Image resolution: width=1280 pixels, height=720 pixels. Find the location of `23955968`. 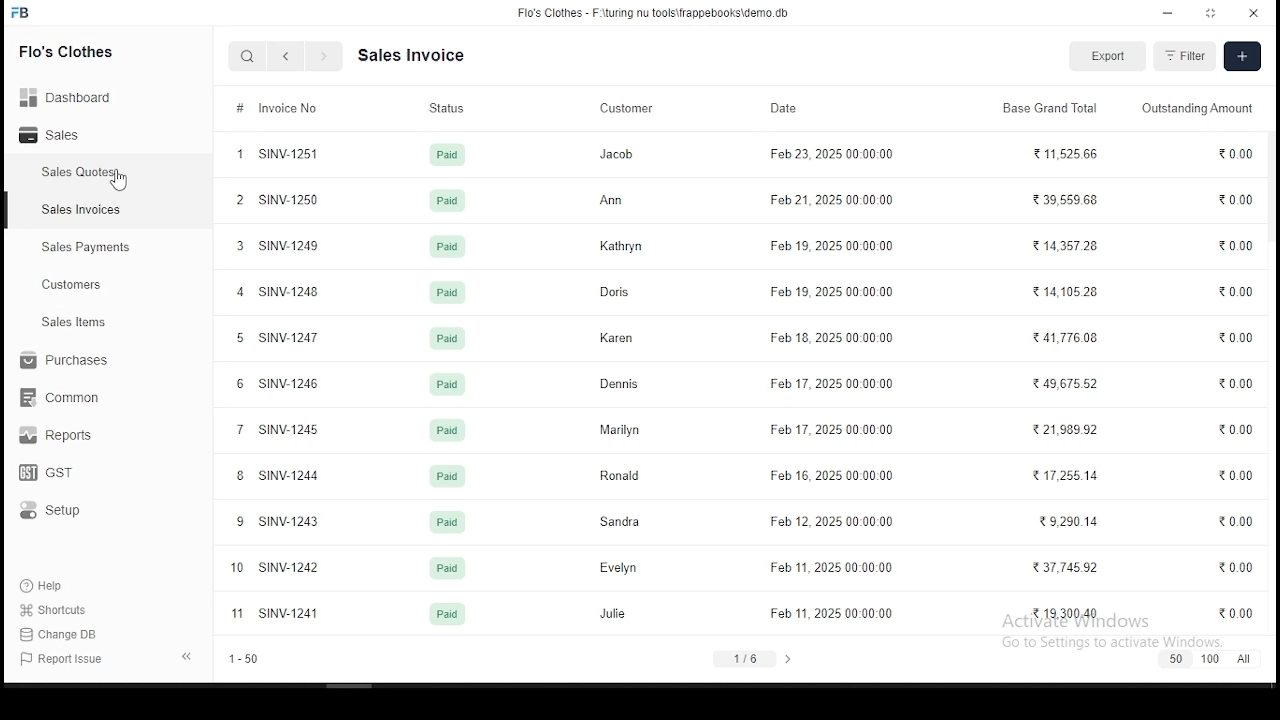

23955968 is located at coordinates (1067, 201).